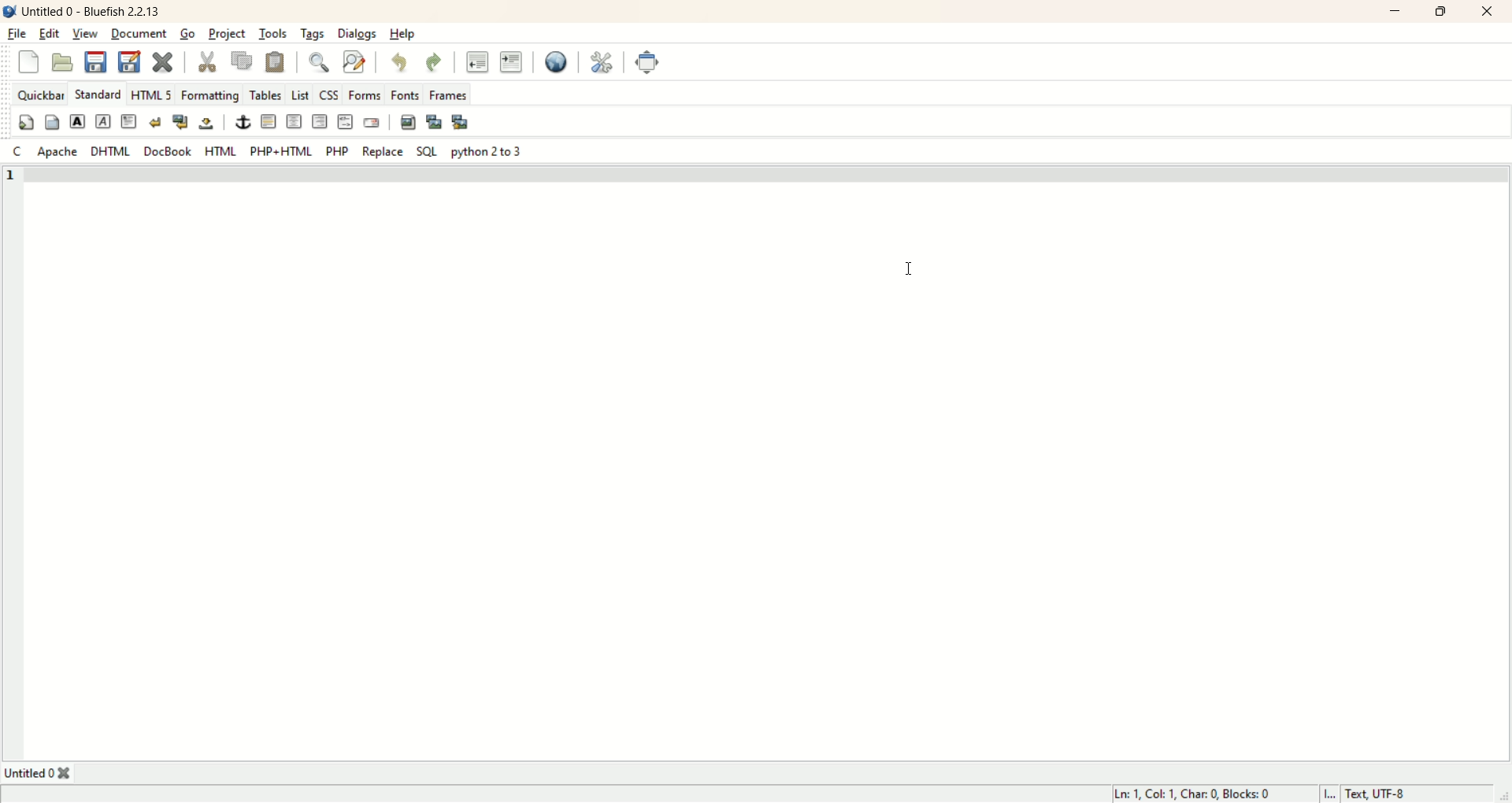 Image resolution: width=1512 pixels, height=803 pixels. What do you see at coordinates (243, 61) in the screenshot?
I see `copy` at bounding box center [243, 61].